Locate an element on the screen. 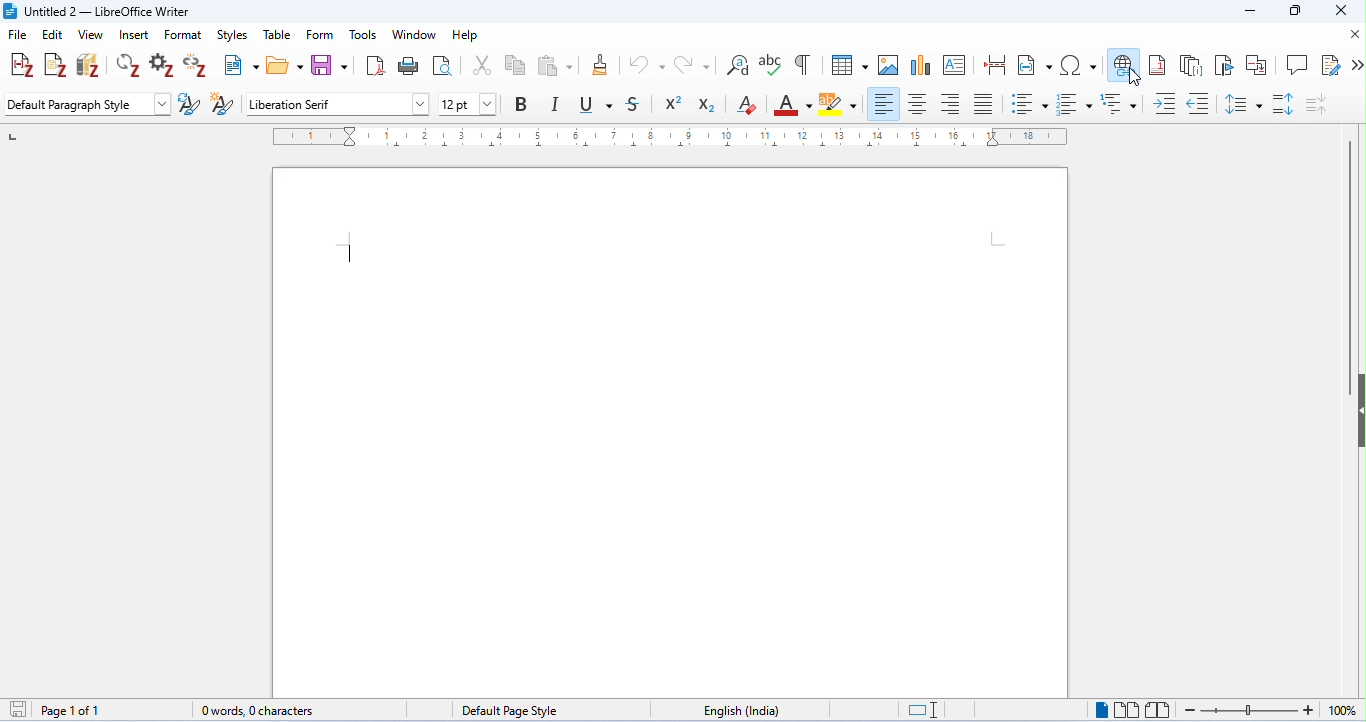  default paragraph style is located at coordinates (86, 103).